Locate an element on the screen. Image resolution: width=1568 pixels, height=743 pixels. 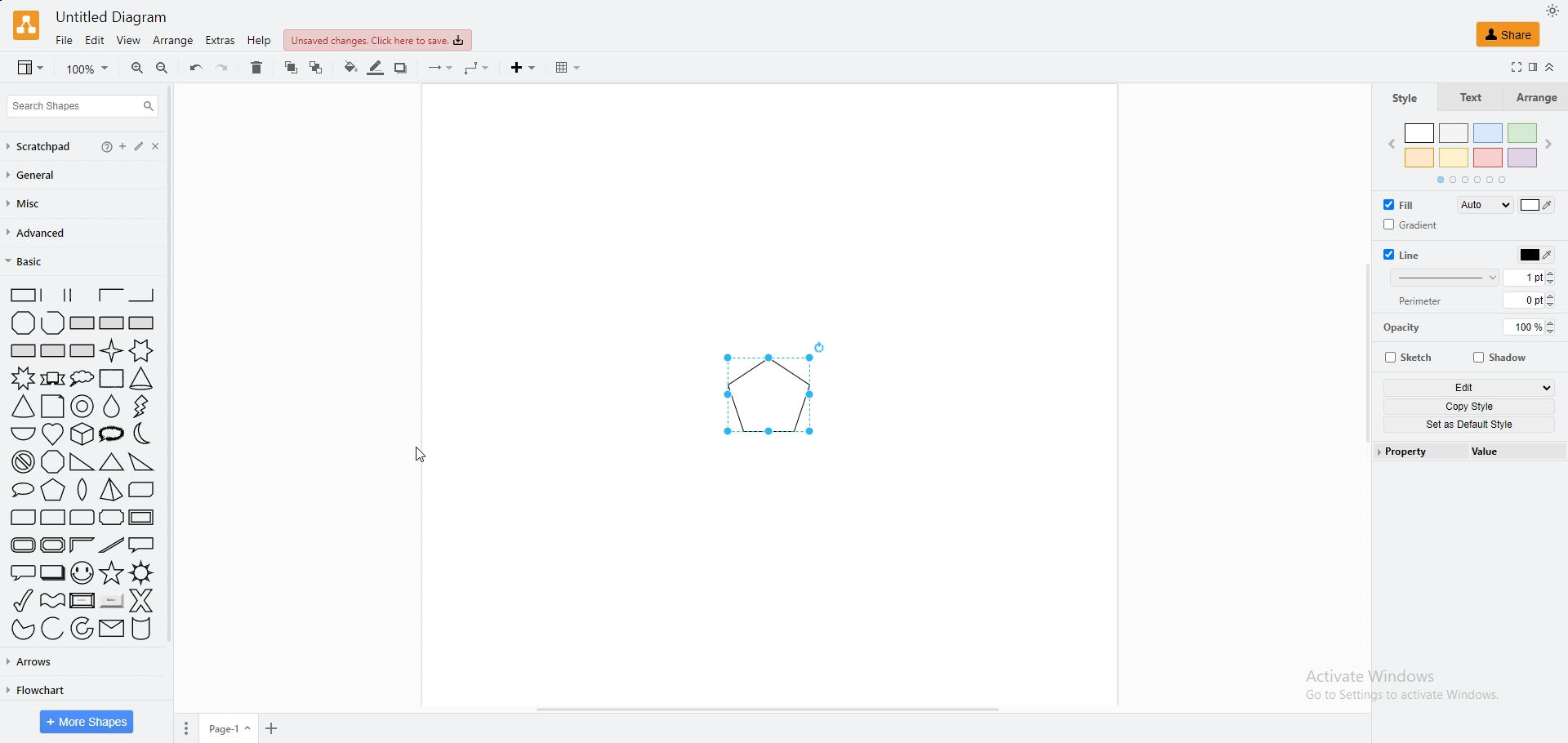
heart is located at coordinates (53, 434).